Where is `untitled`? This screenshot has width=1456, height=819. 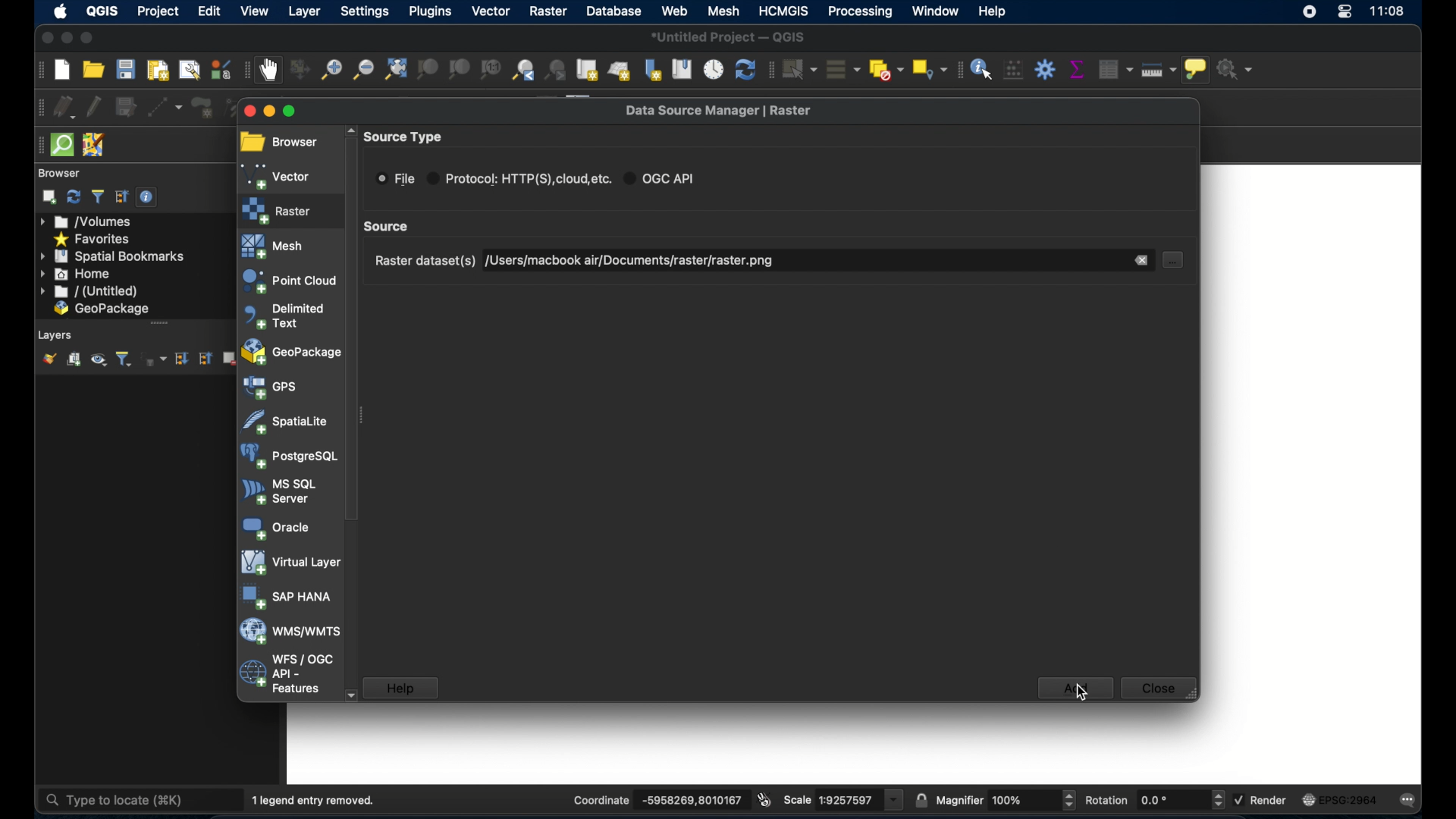
untitled is located at coordinates (87, 292).